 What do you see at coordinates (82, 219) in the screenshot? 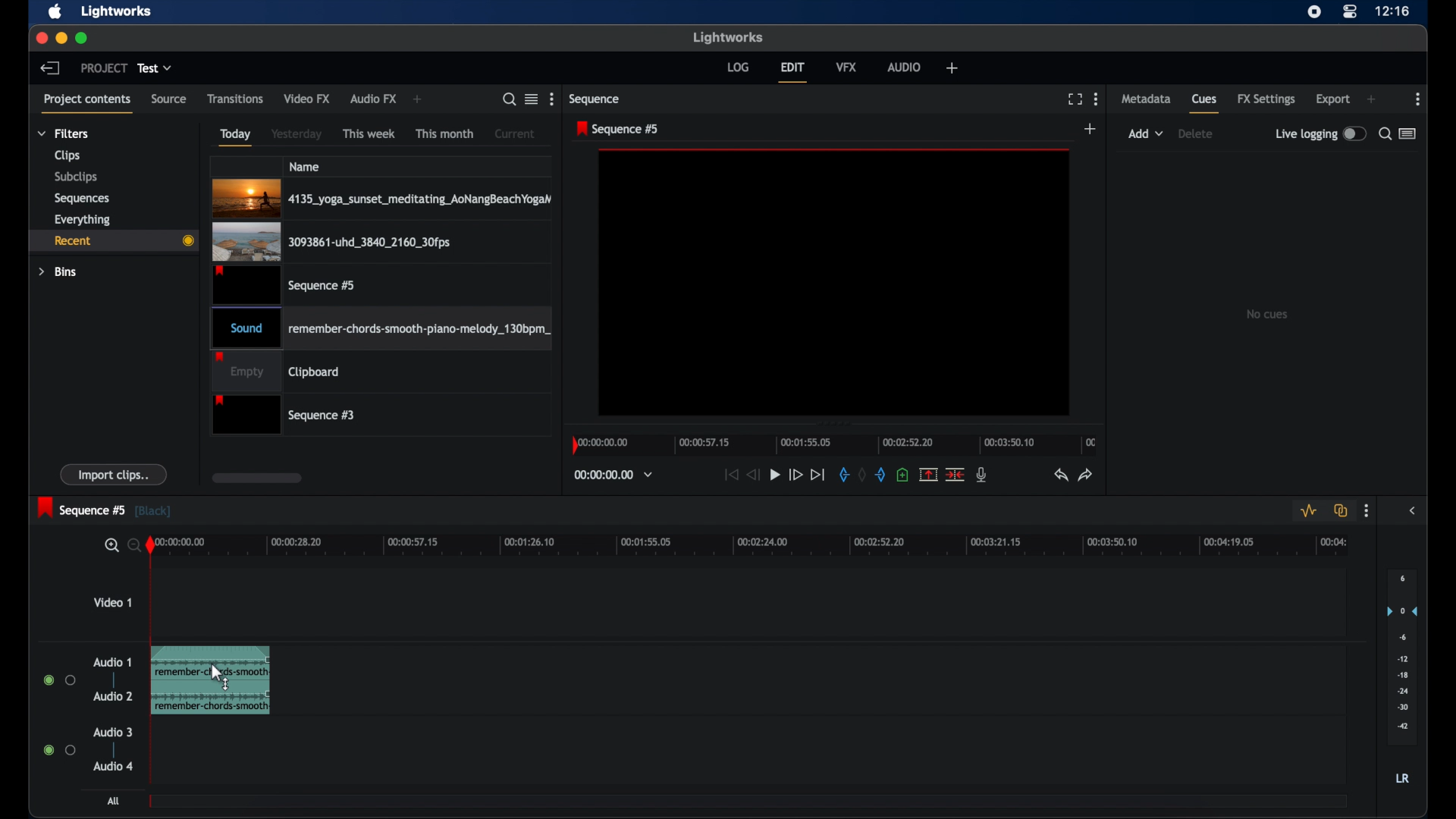
I see `everything` at bounding box center [82, 219].